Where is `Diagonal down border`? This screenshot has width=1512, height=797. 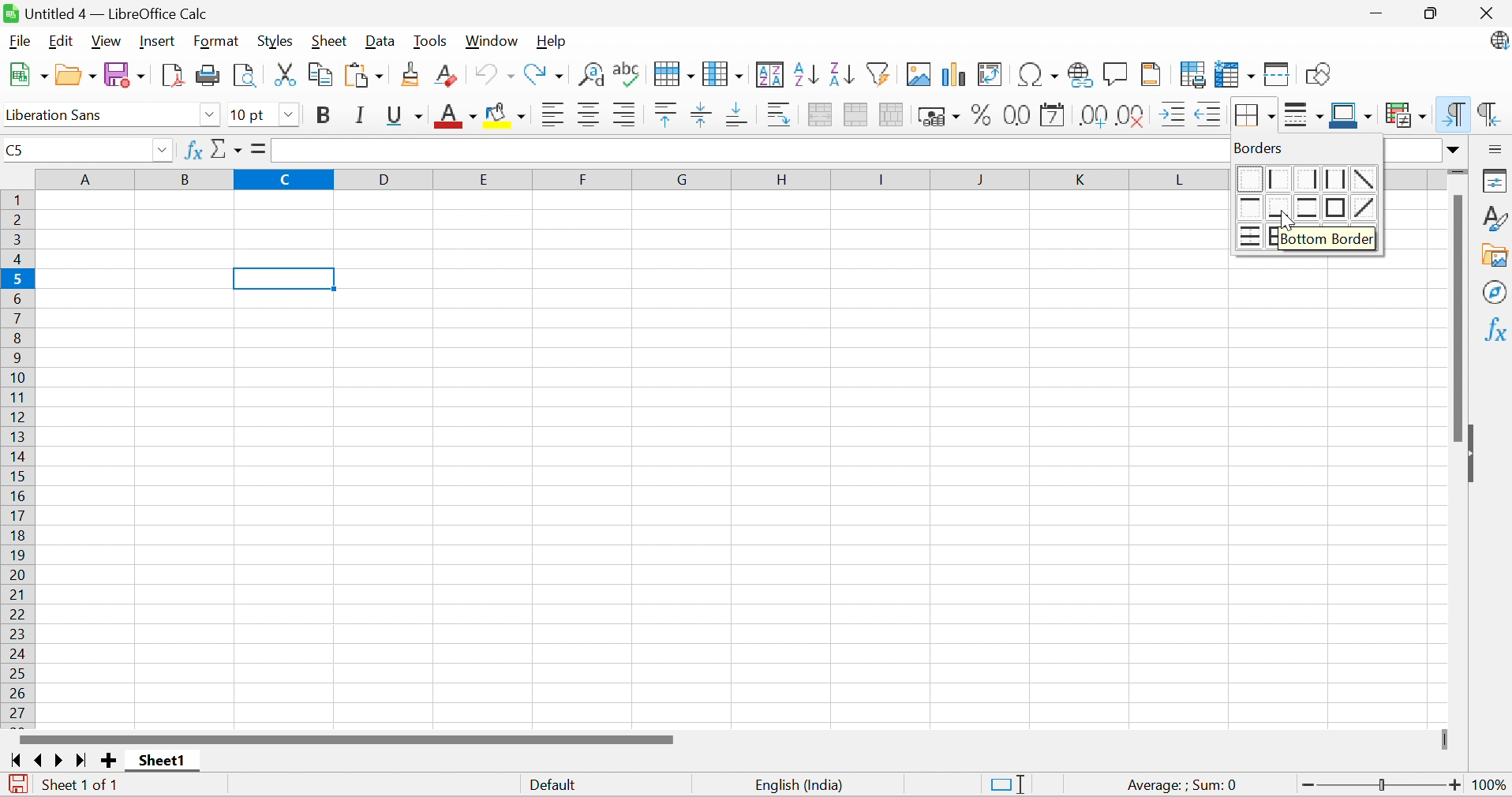
Diagonal down border is located at coordinates (1364, 179).